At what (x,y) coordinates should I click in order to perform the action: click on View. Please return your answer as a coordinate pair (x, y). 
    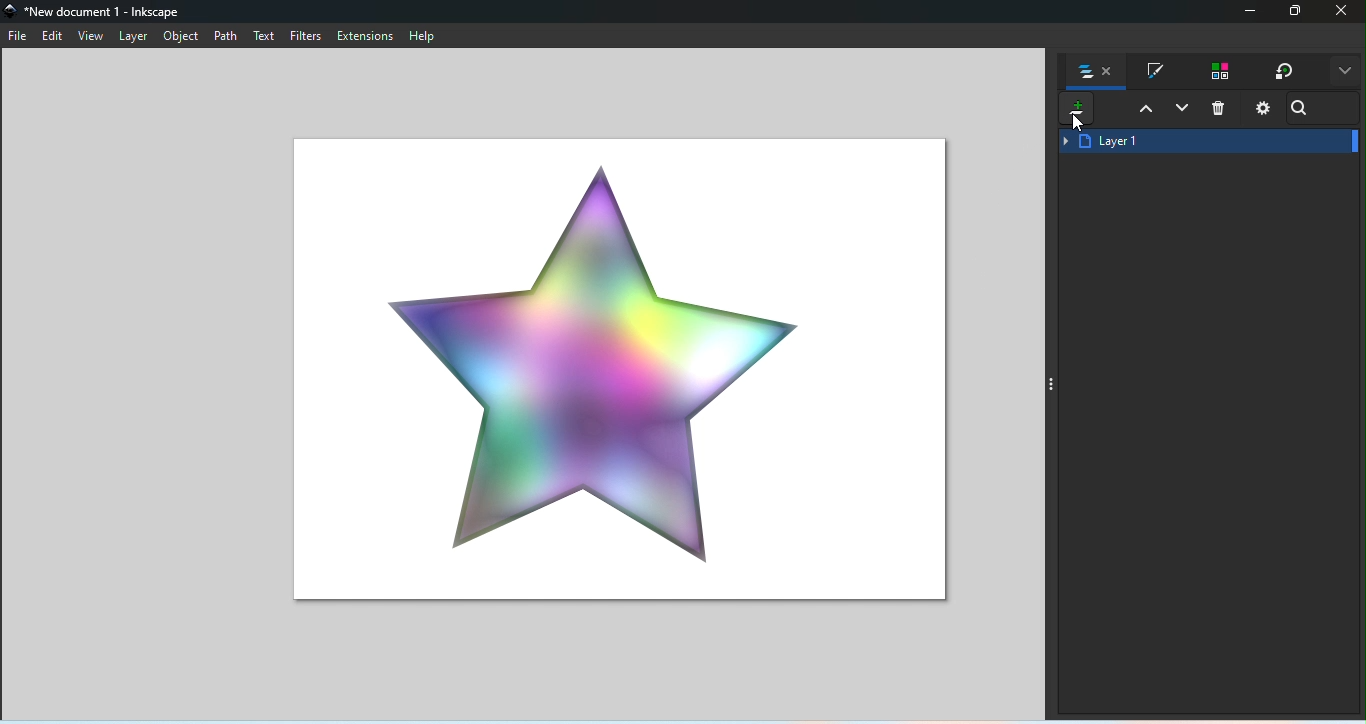
    Looking at the image, I should click on (95, 38).